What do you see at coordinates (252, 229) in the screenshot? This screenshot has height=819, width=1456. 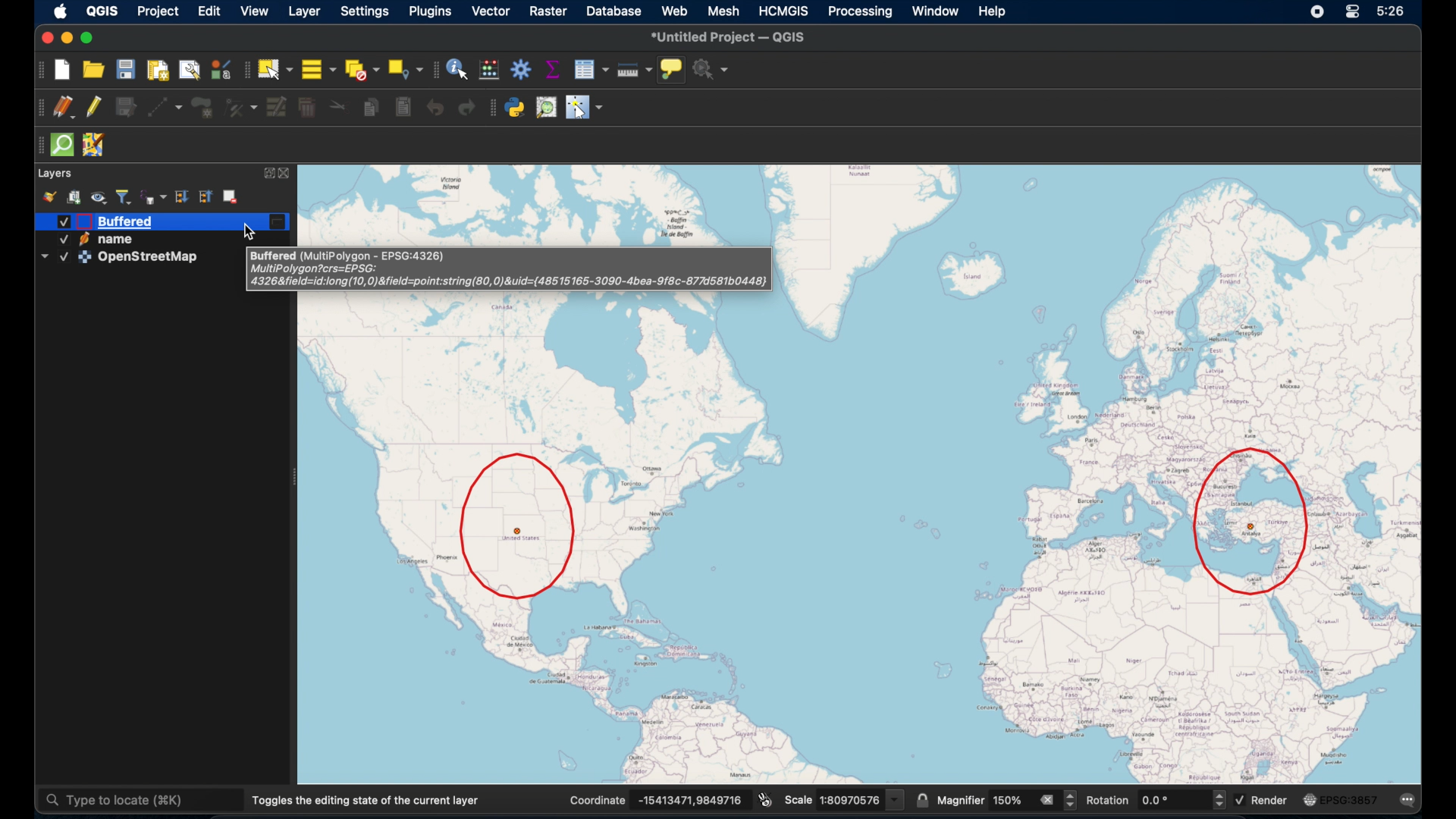 I see `cursor` at bounding box center [252, 229].